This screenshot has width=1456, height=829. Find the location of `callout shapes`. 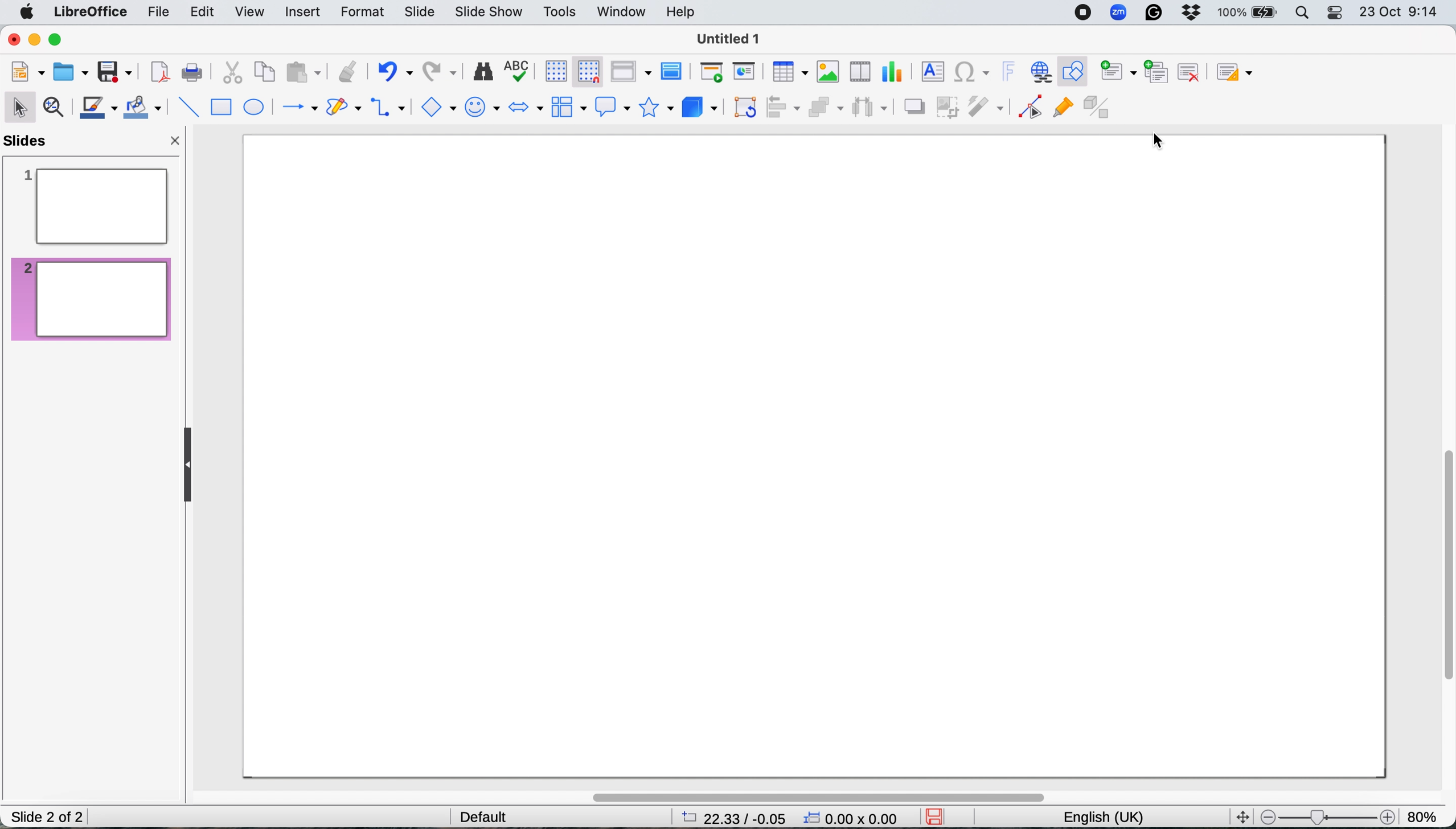

callout shapes is located at coordinates (613, 107).